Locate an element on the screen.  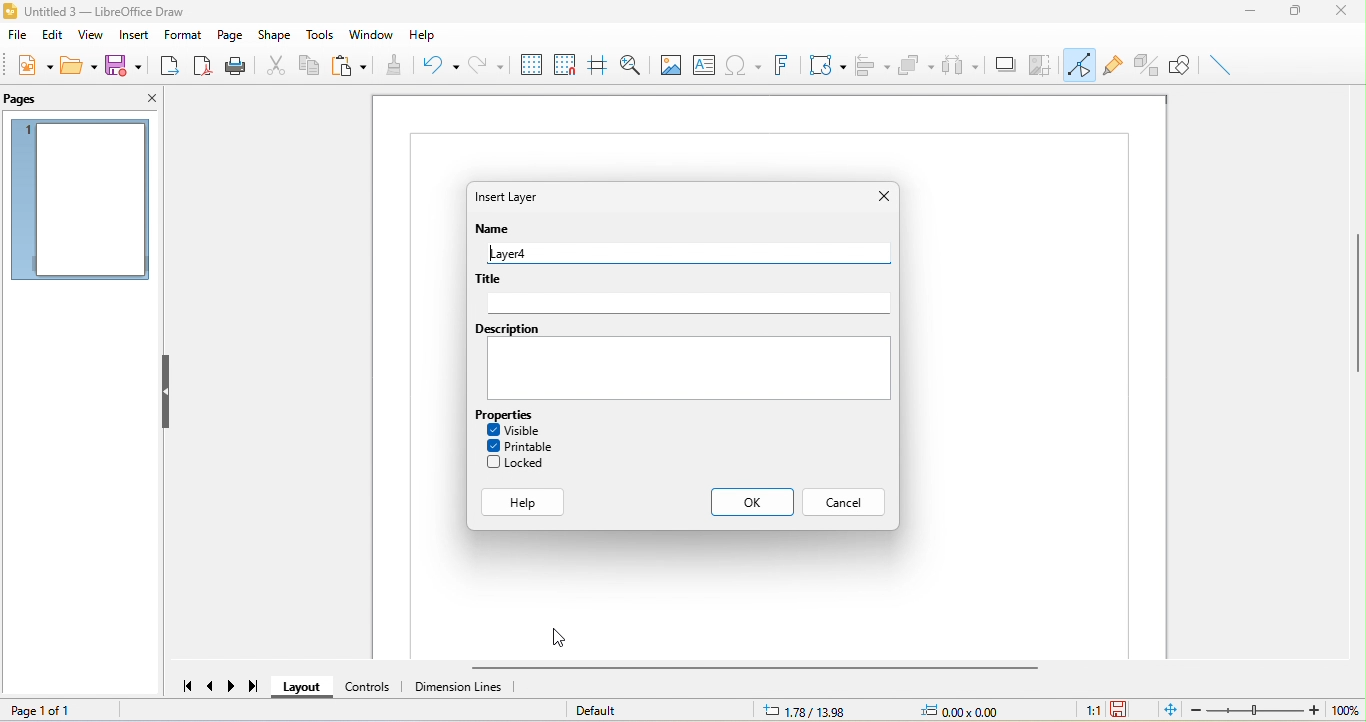
toggle extrusion is located at coordinates (1146, 65).